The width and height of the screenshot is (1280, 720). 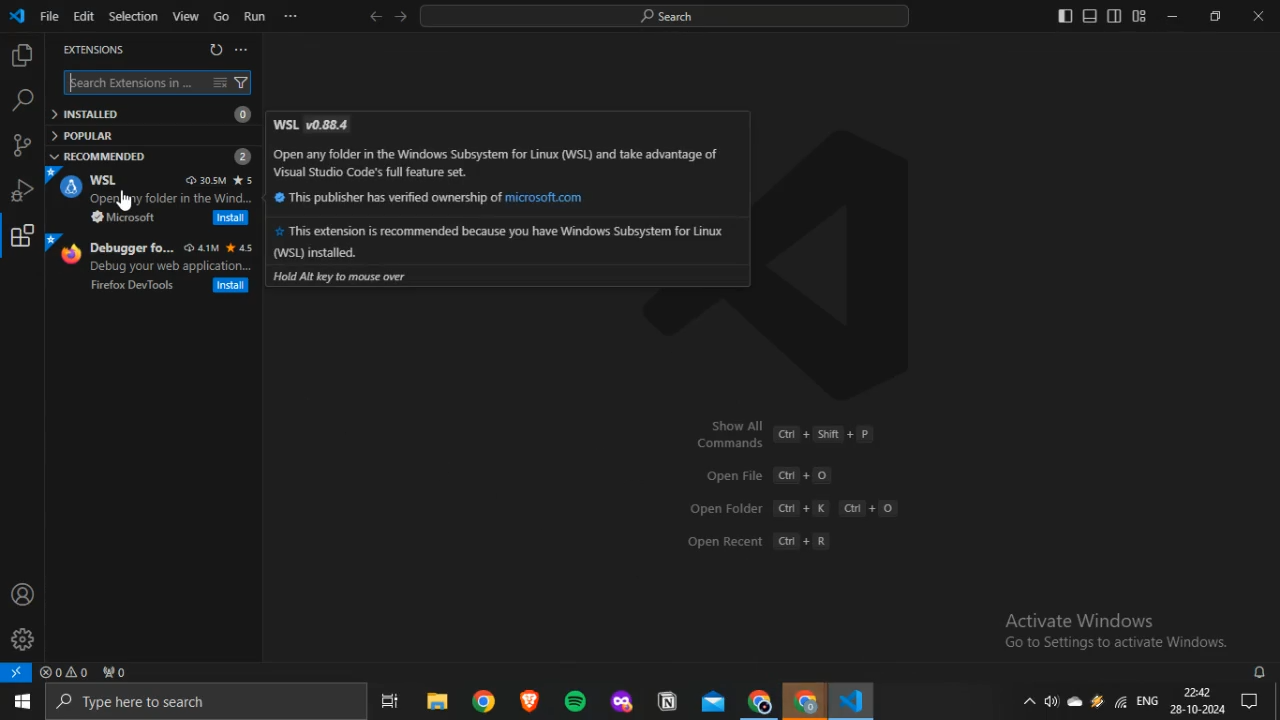 What do you see at coordinates (232, 285) in the screenshot?
I see `Install` at bounding box center [232, 285].